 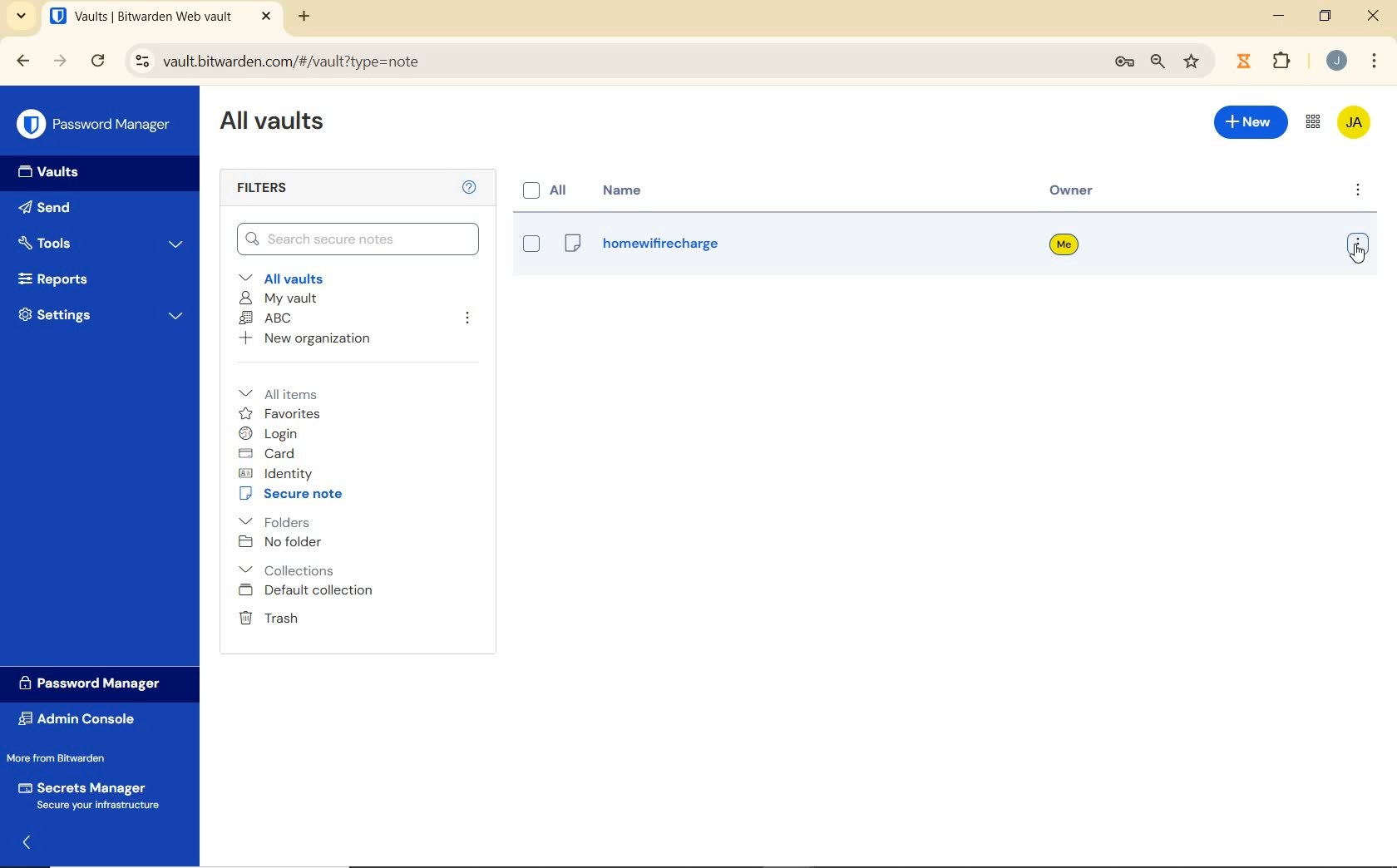 What do you see at coordinates (93, 795) in the screenshot?
I see `Secrets Manager` at bounding box center [93, 795].